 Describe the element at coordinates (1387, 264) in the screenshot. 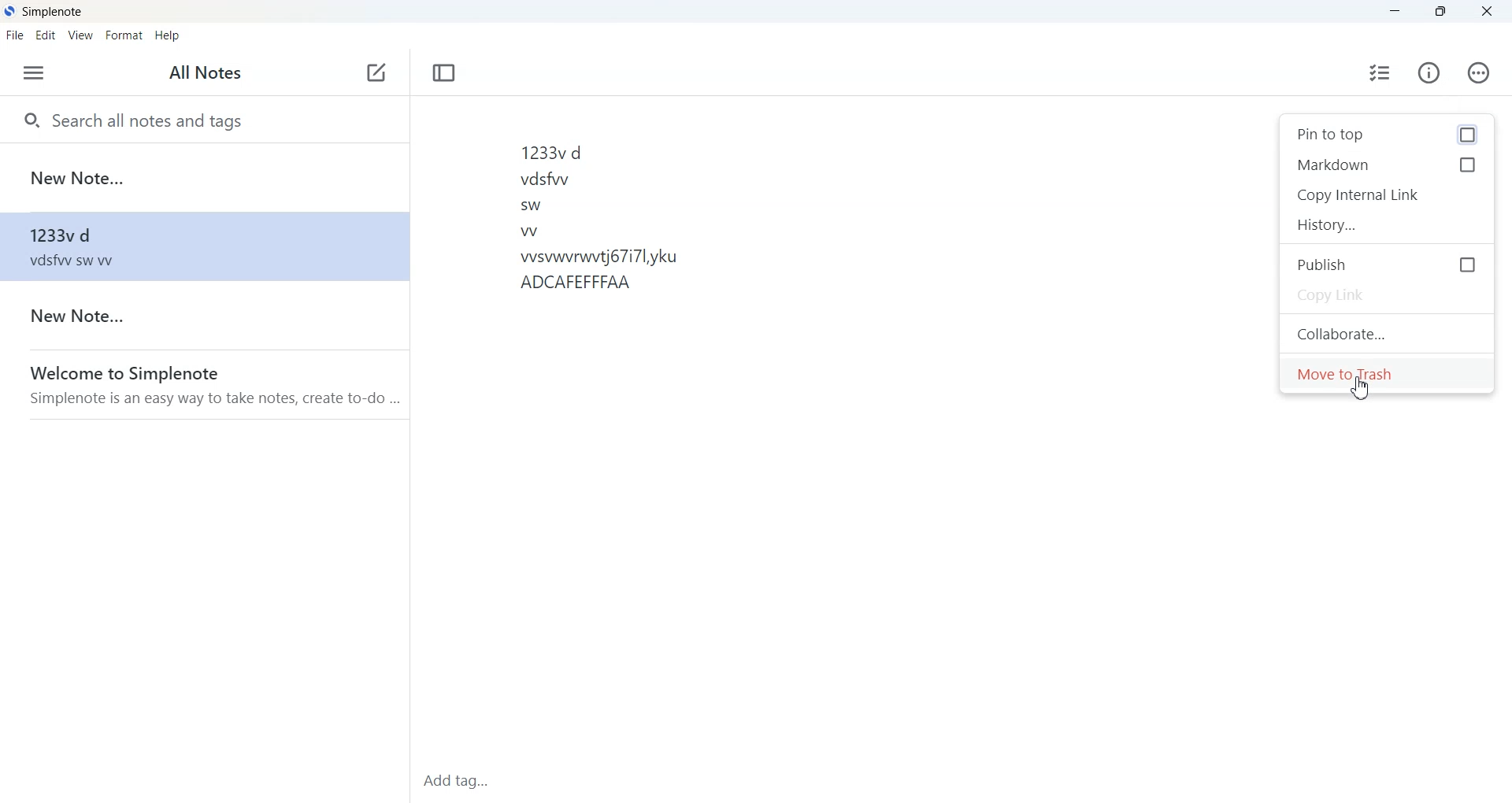

I see `Publish checklist` at that location.